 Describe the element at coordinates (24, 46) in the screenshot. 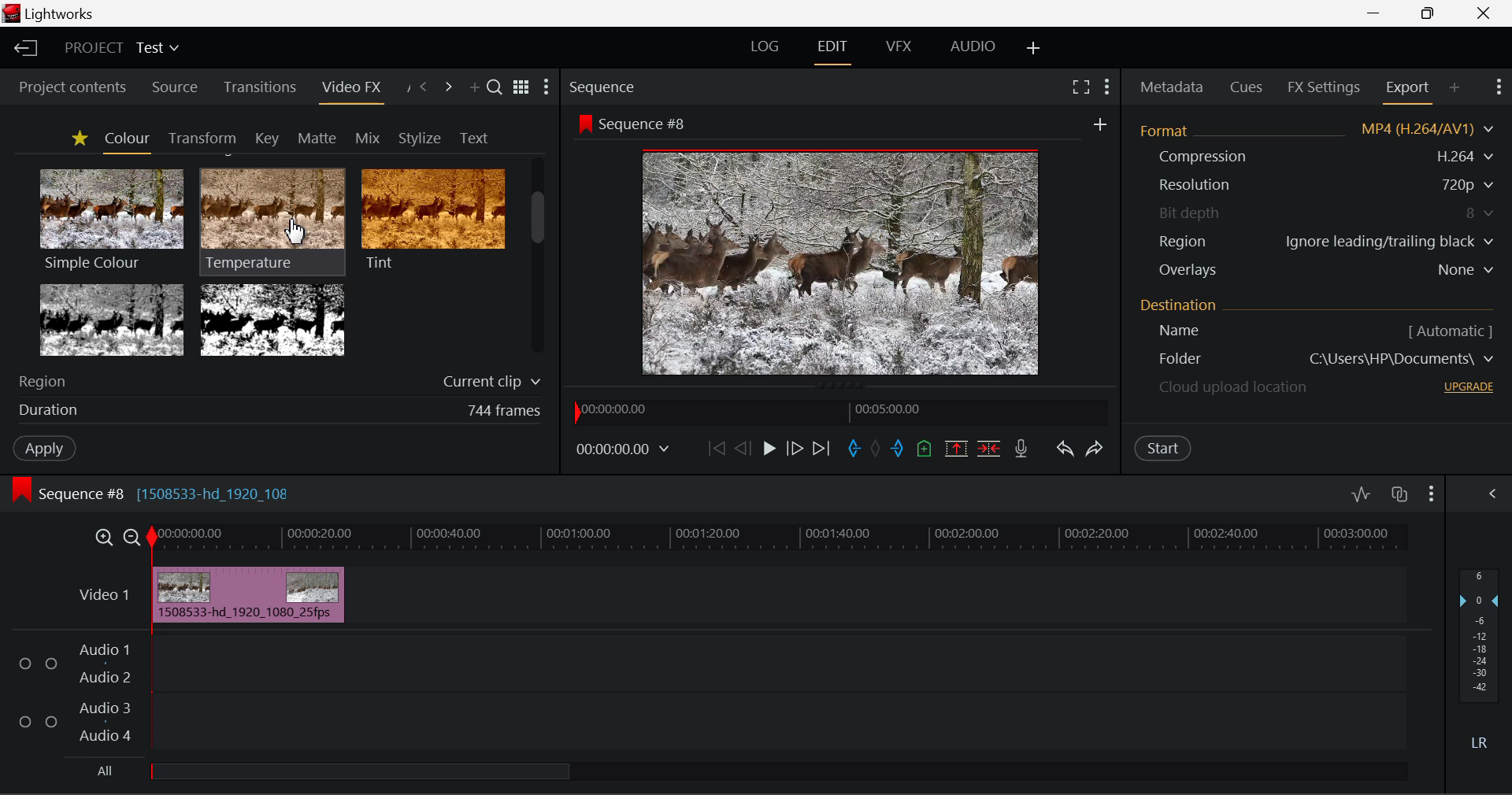

I see `Back to Homepage` at that location.